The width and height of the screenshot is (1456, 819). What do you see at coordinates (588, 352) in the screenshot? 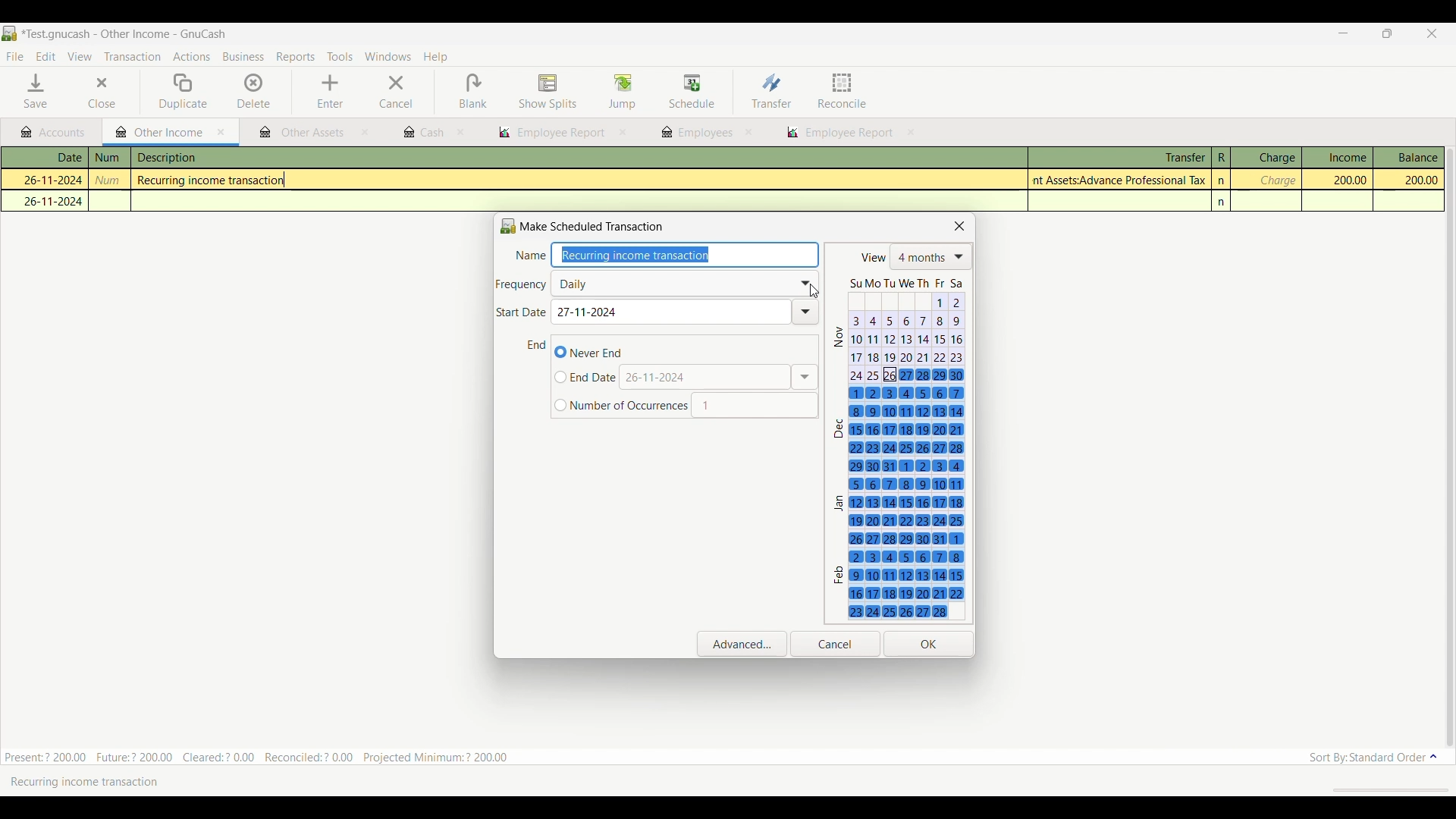
I see `Never end transaction, current selection` at bounding box center [588, 352].